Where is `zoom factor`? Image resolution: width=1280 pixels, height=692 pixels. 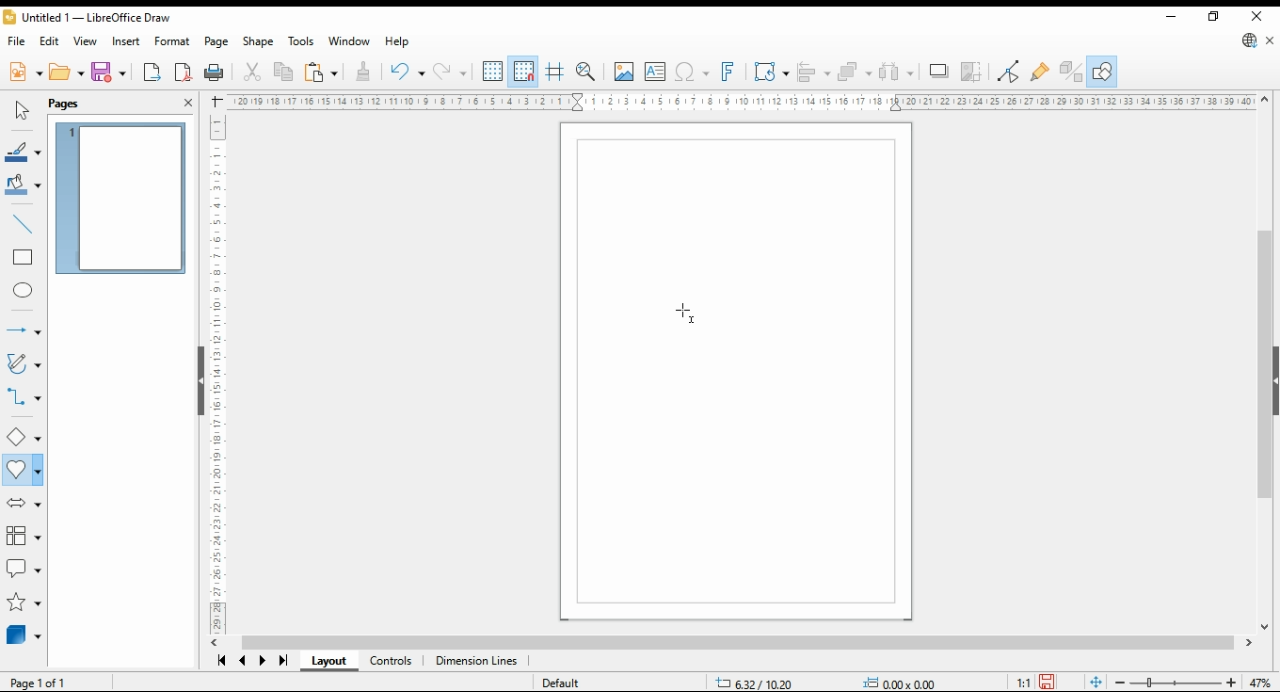 zoom factor is located at coordinates (1260, 681).